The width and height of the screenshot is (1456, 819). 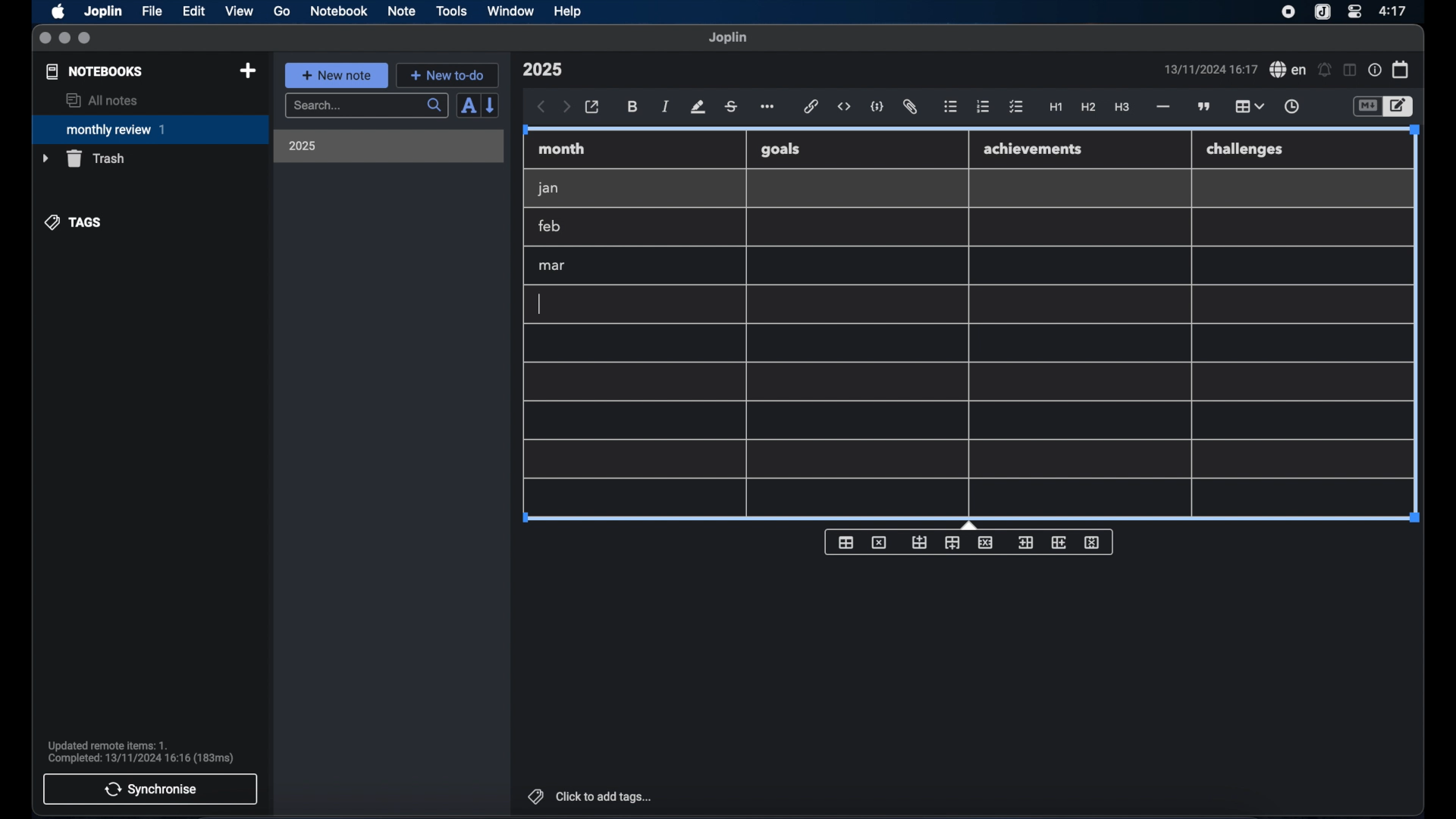 I want to click on open in external editor, so click(x=593, y=108).